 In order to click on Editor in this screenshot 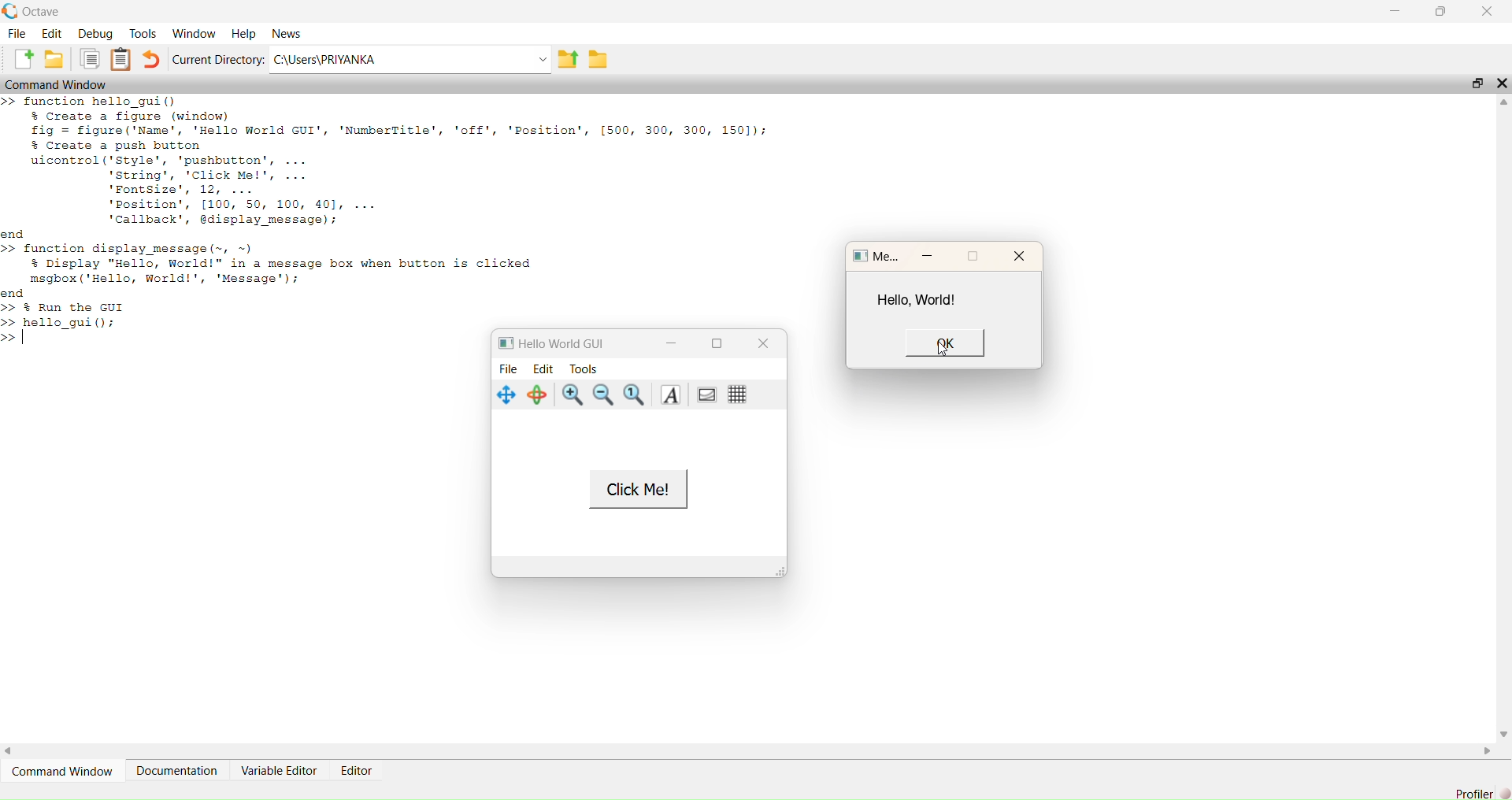, I will do `click(354, 769)`.